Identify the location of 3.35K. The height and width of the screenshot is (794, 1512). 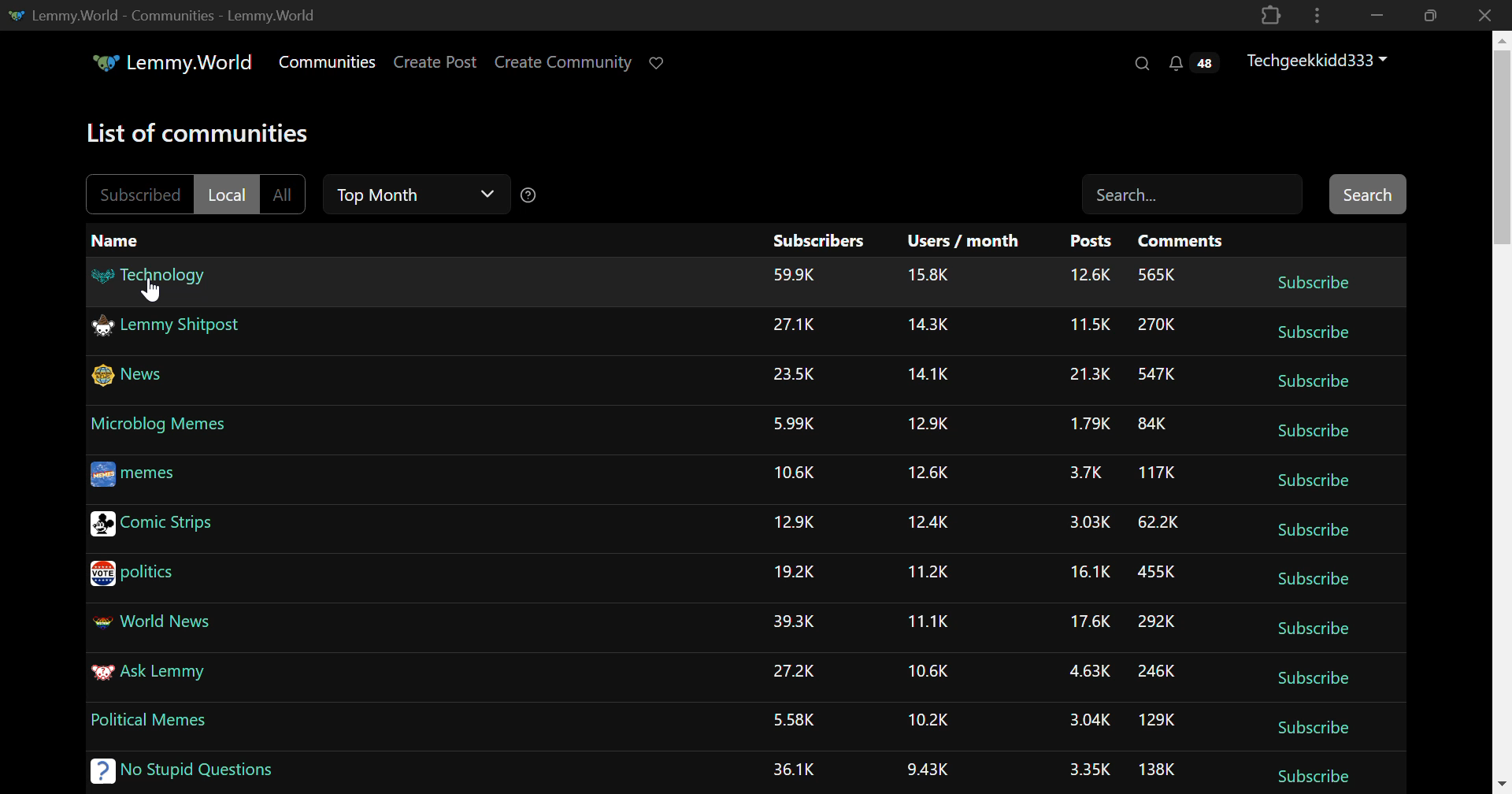
(1090, 770).